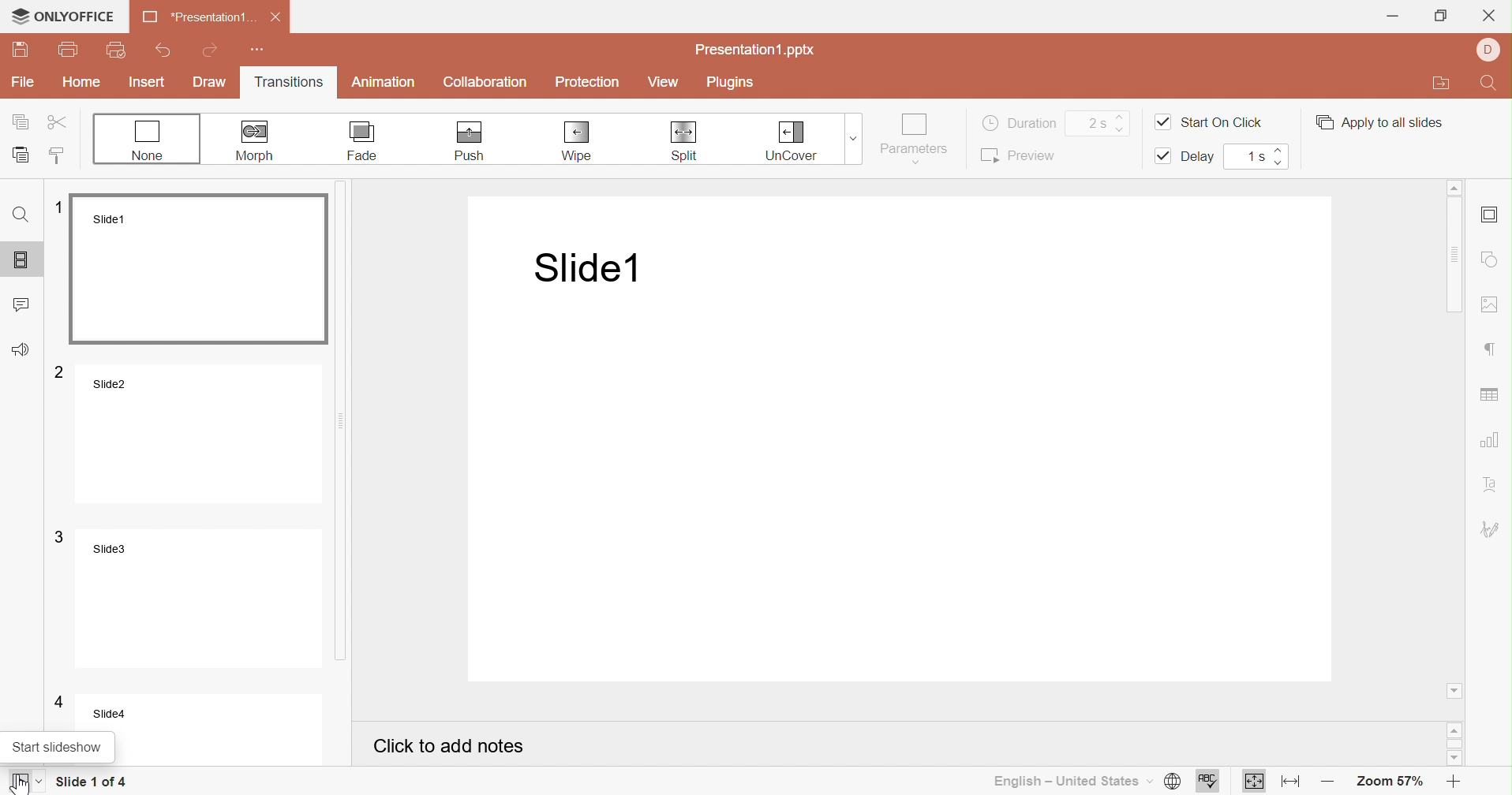  I want to click on Apply to all slides, so click(1376, 121).